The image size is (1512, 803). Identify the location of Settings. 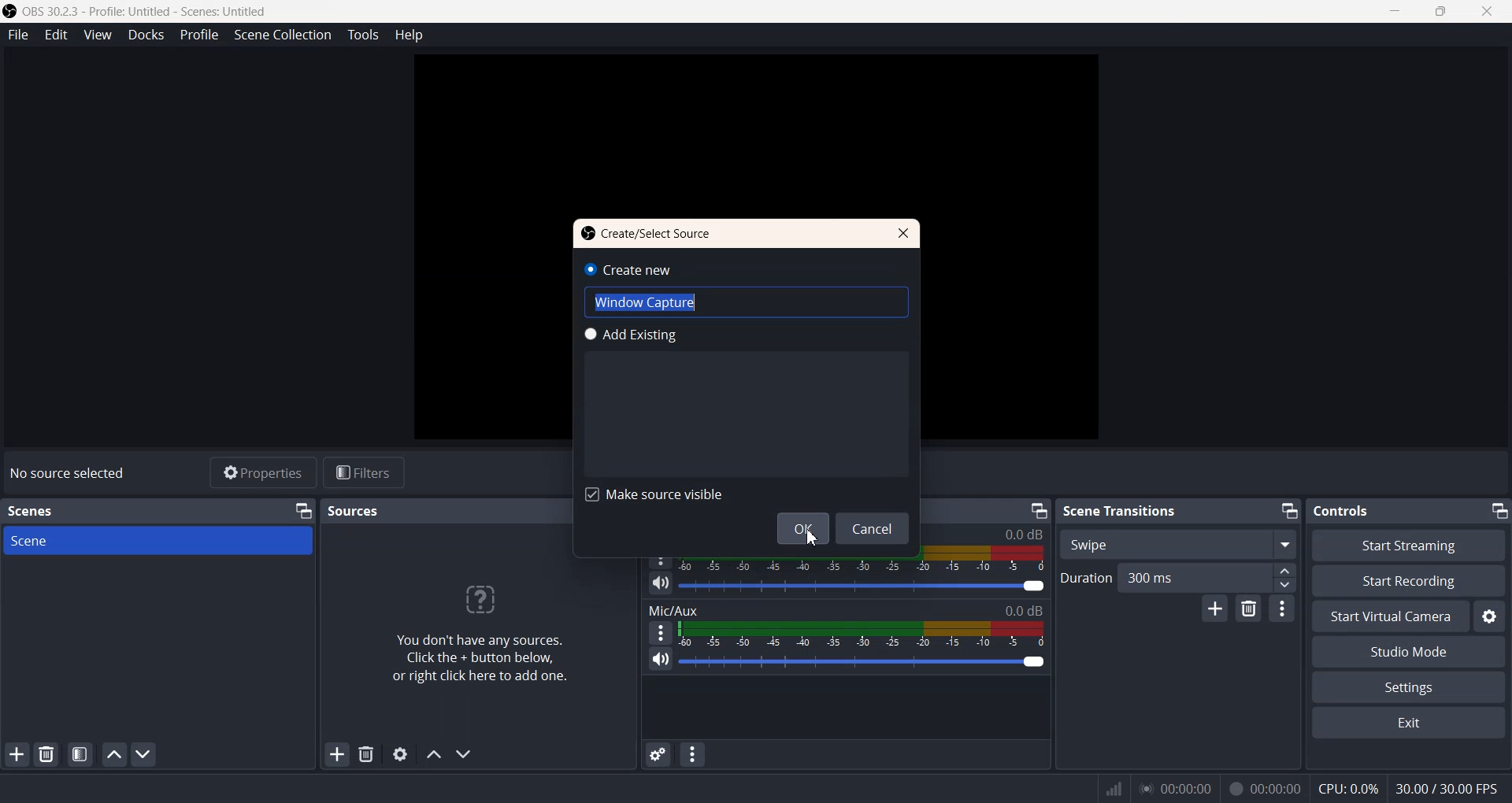
(1408, 688).